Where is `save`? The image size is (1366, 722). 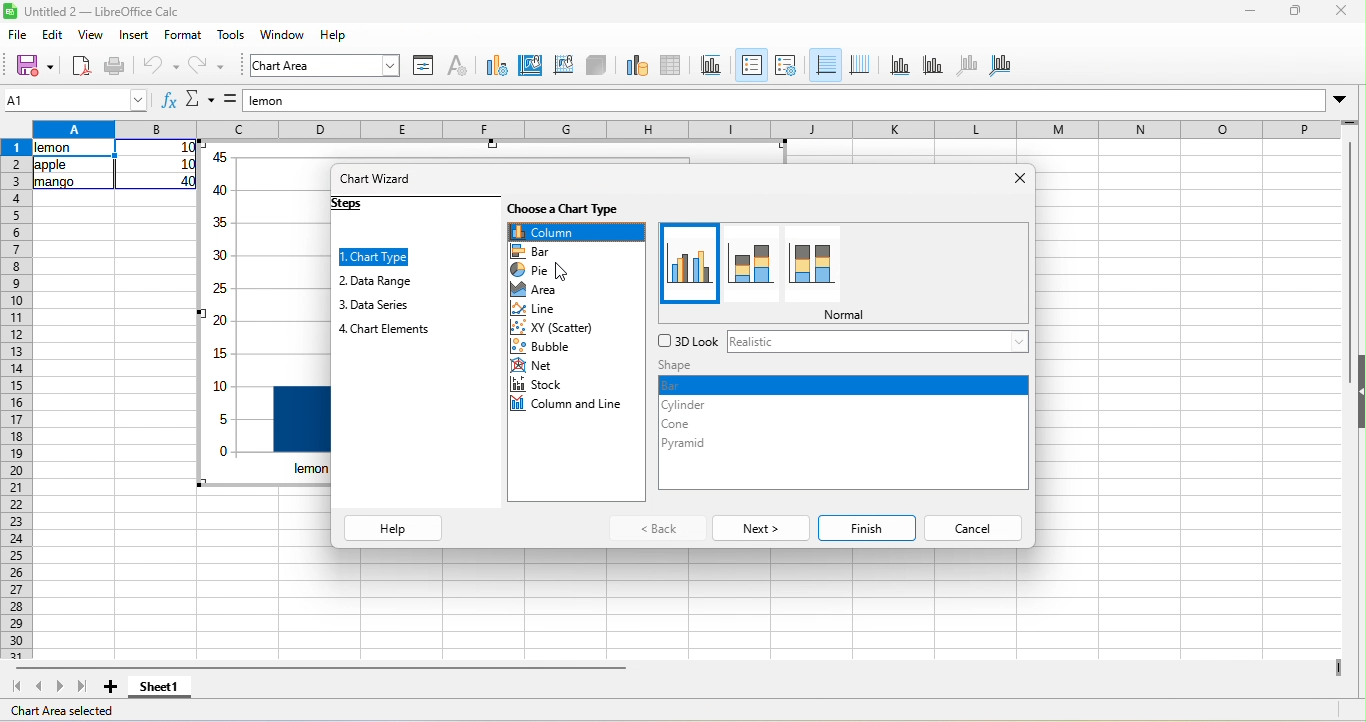 save is located at coordinates (35, 64).